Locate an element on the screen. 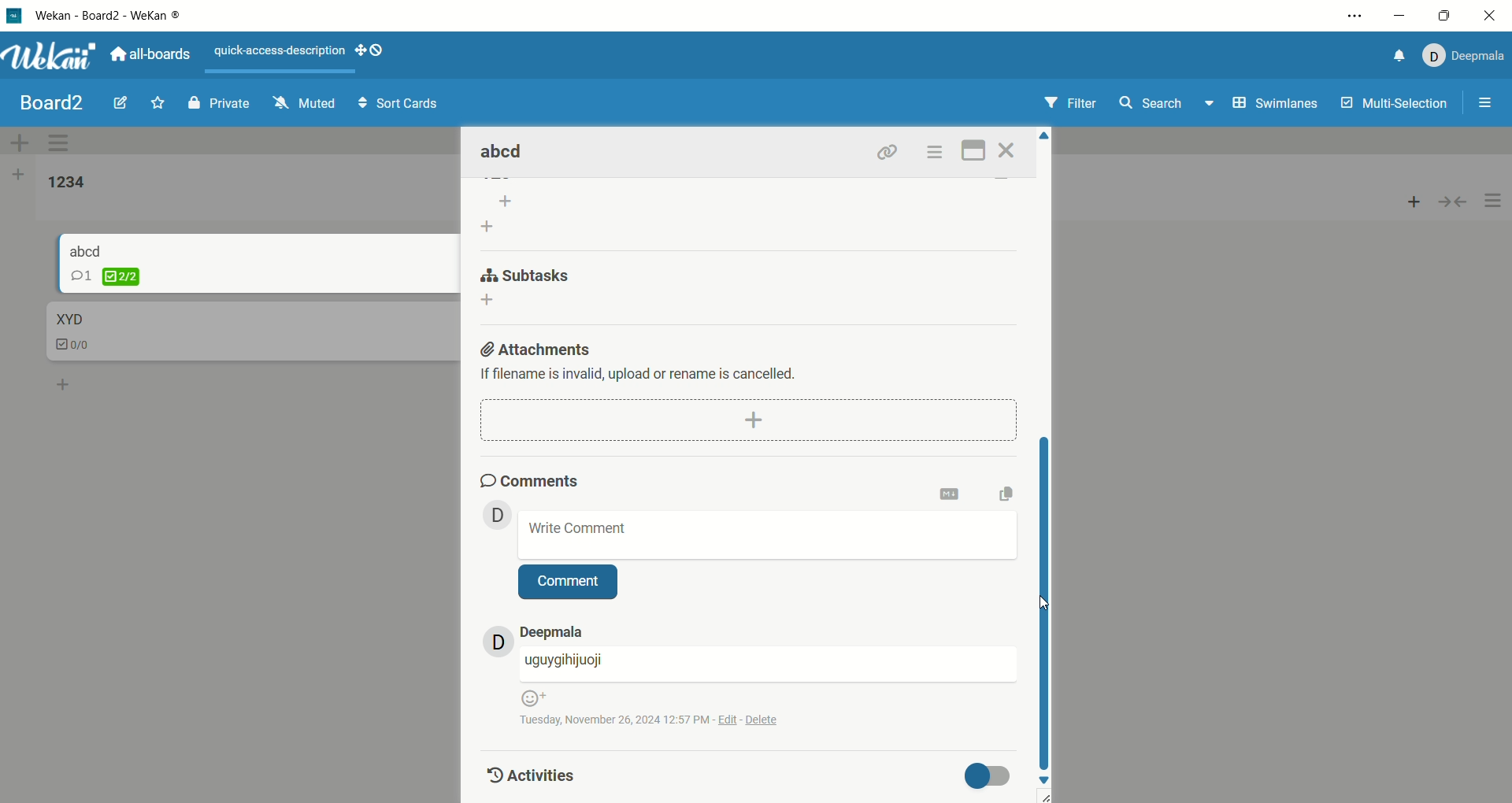 This screenshot has height=803, width=1512. close is located at coordinates (1488, 18).